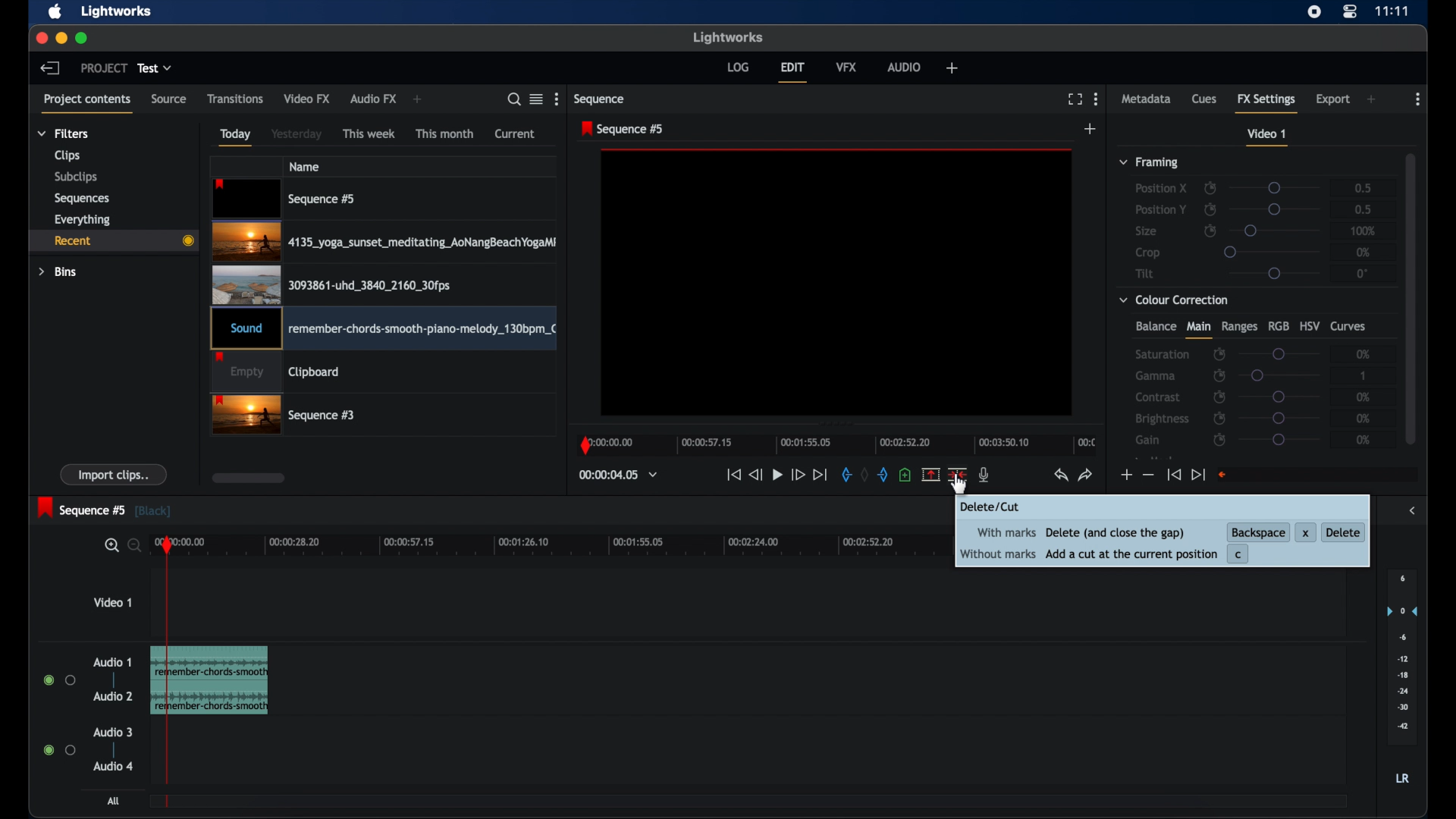  Describe the element at coordinates (515, 134) in the screenshot. I see `current` at that location.